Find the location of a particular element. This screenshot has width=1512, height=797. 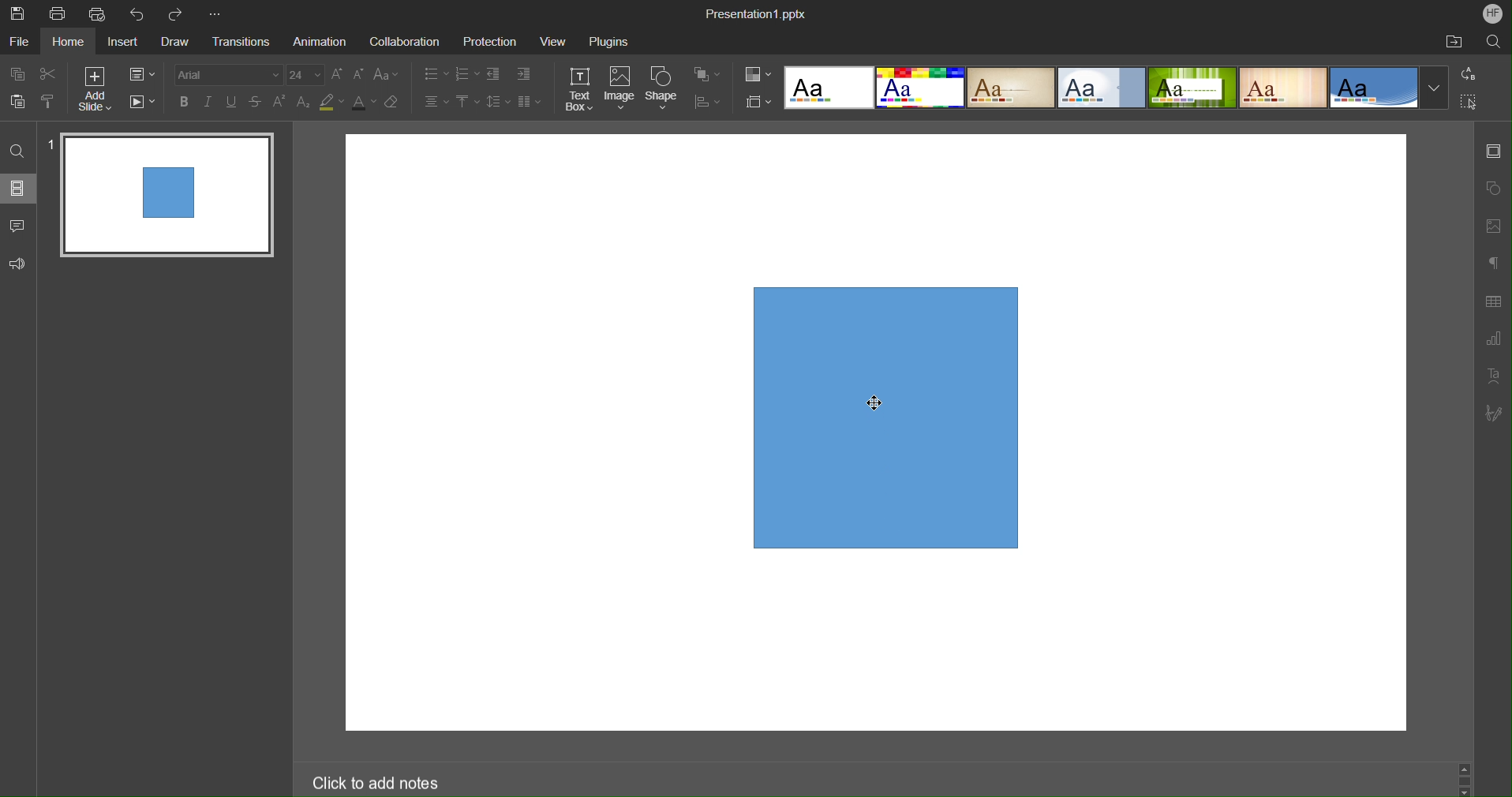

Animation is located at coordinates (318, 39).